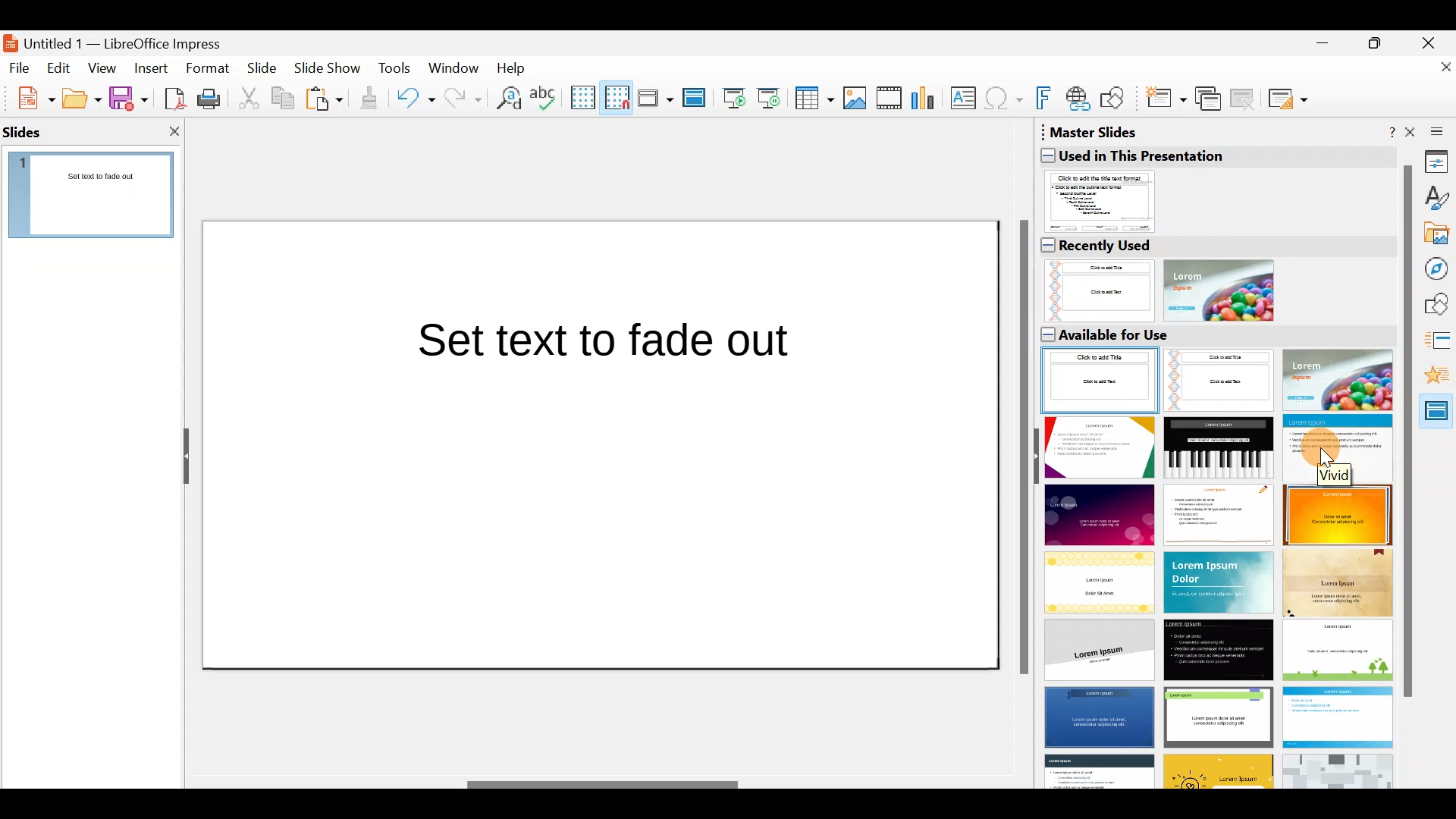  Describe the element at coordinates (100, 199) in the screenshot. I see `Slide pane` at that location.